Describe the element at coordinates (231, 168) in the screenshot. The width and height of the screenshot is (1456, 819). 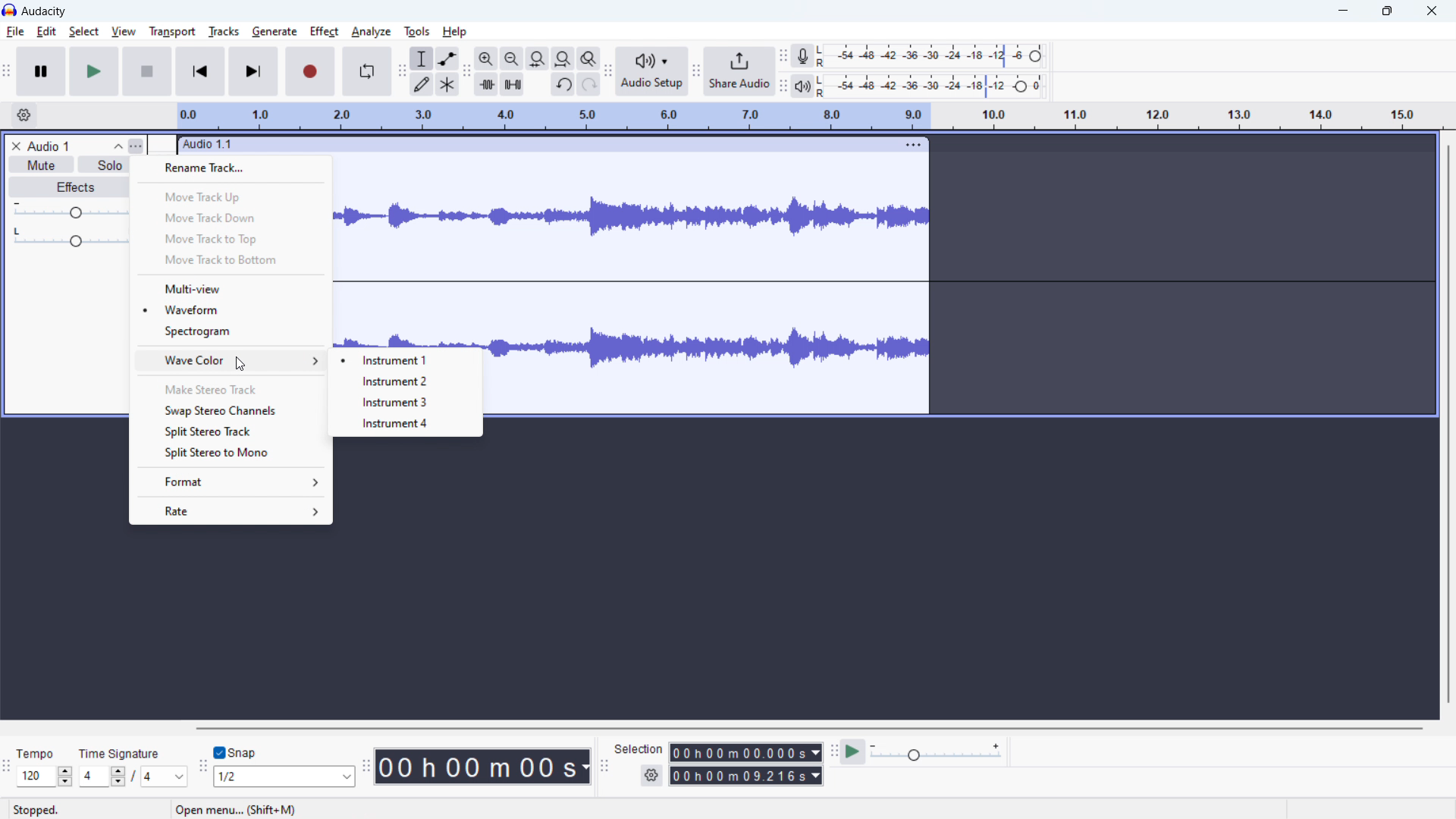
I see `rename track` at that location.